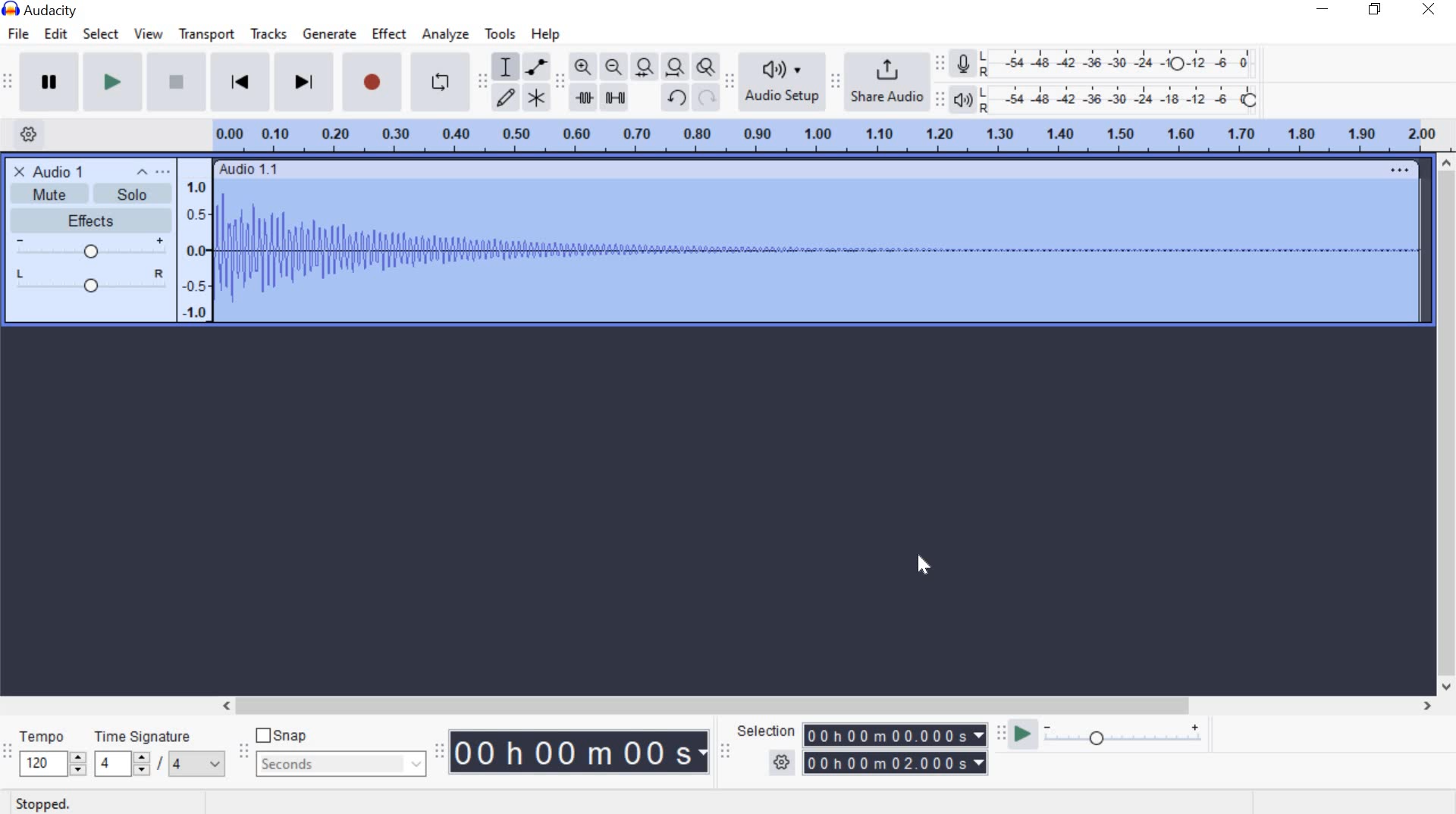  Describe the element at coordinates (342, 765) in the screenshot. I see `seconds` at that location.